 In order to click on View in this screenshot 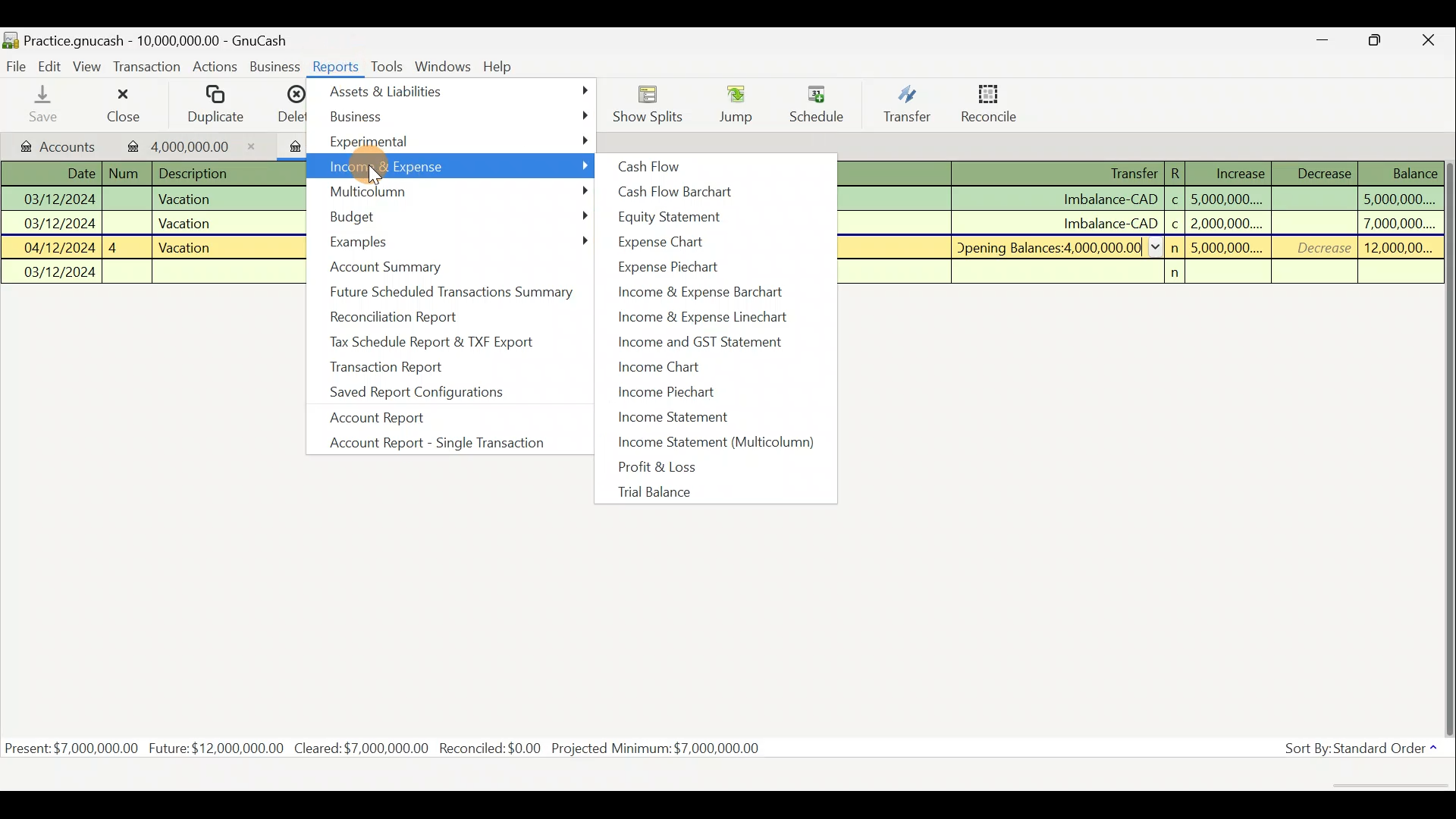, I will do `click(88, 67)`.